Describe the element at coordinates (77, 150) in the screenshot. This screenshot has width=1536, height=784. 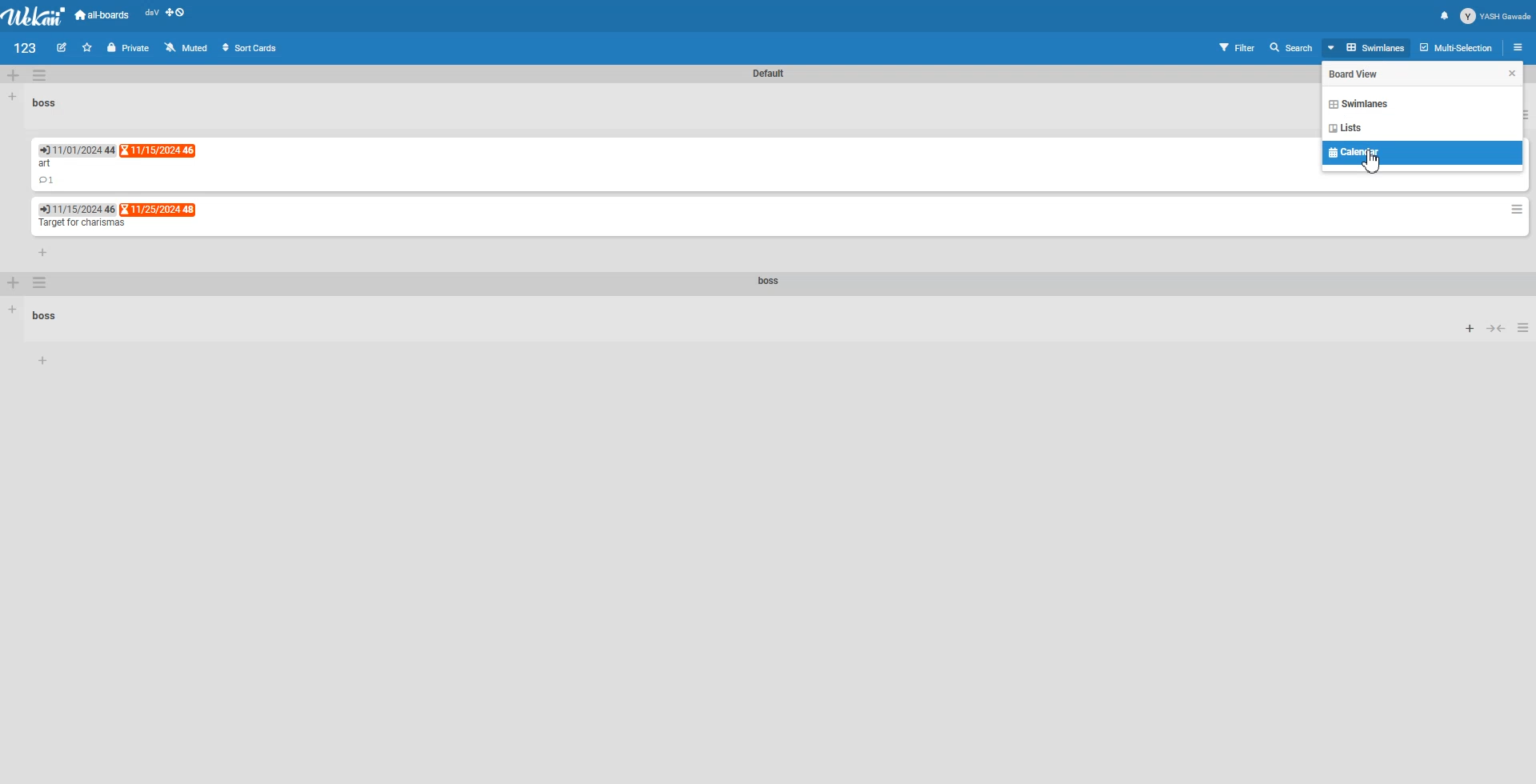
I see `Due Date` at that location.